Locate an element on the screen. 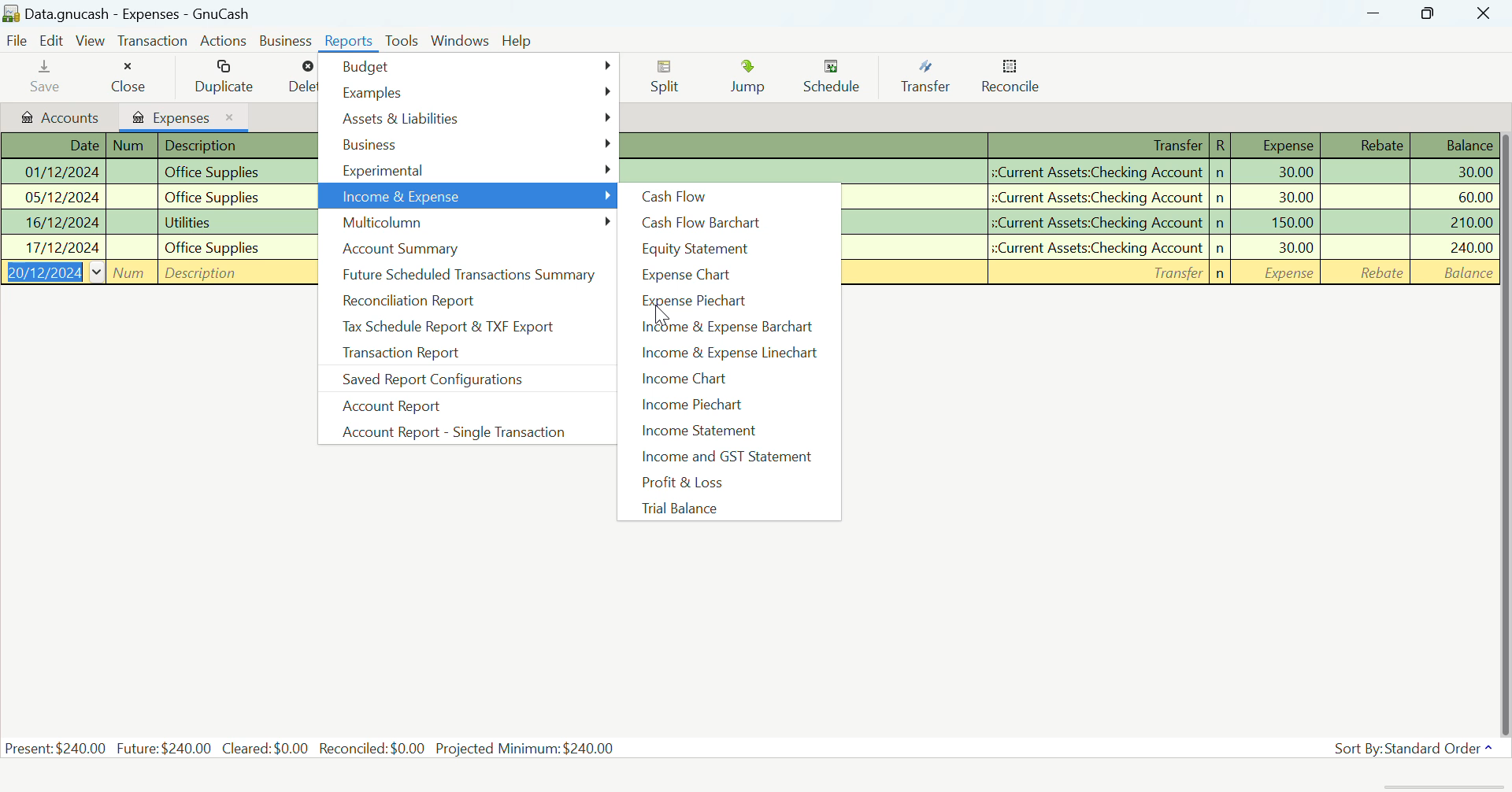 The width and height of the screenshot is (1512, 792). Trial Balance is located at coordinates (726, 509).